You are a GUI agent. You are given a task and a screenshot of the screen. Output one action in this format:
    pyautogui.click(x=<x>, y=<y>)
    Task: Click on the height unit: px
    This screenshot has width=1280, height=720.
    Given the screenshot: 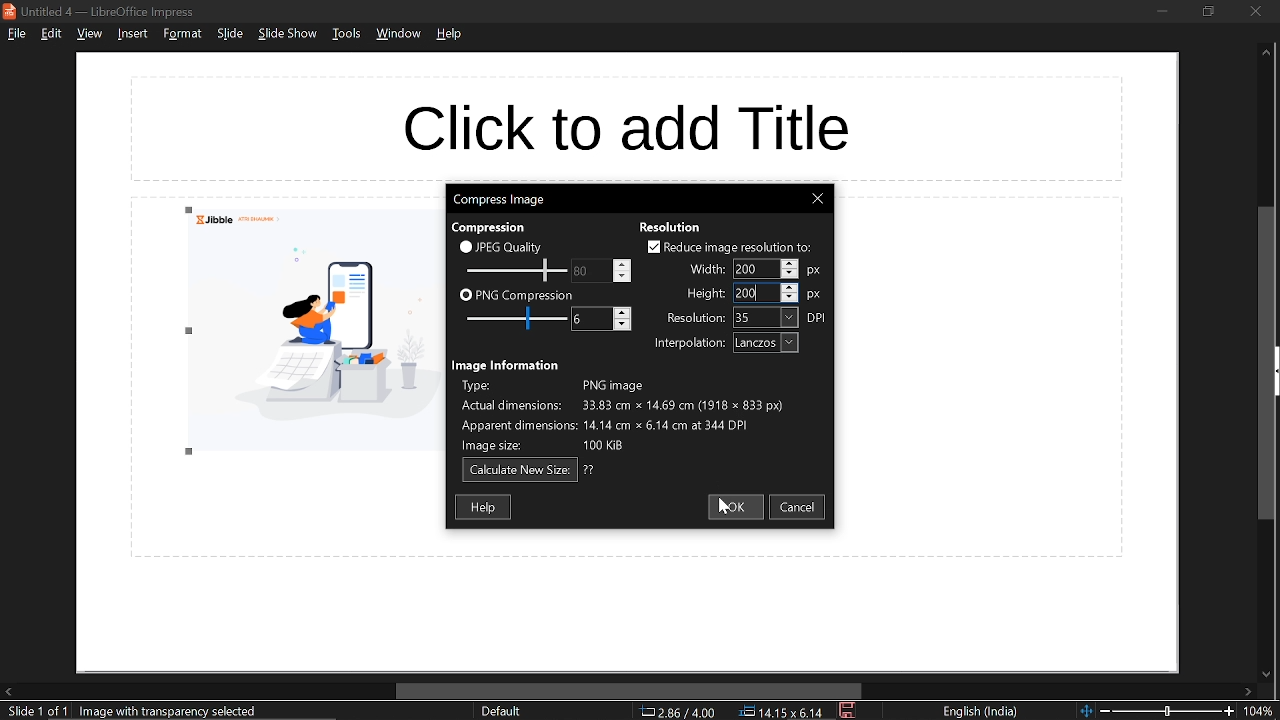 What is the action you would take?
    pyautogui.click(x=815, y=296)
    